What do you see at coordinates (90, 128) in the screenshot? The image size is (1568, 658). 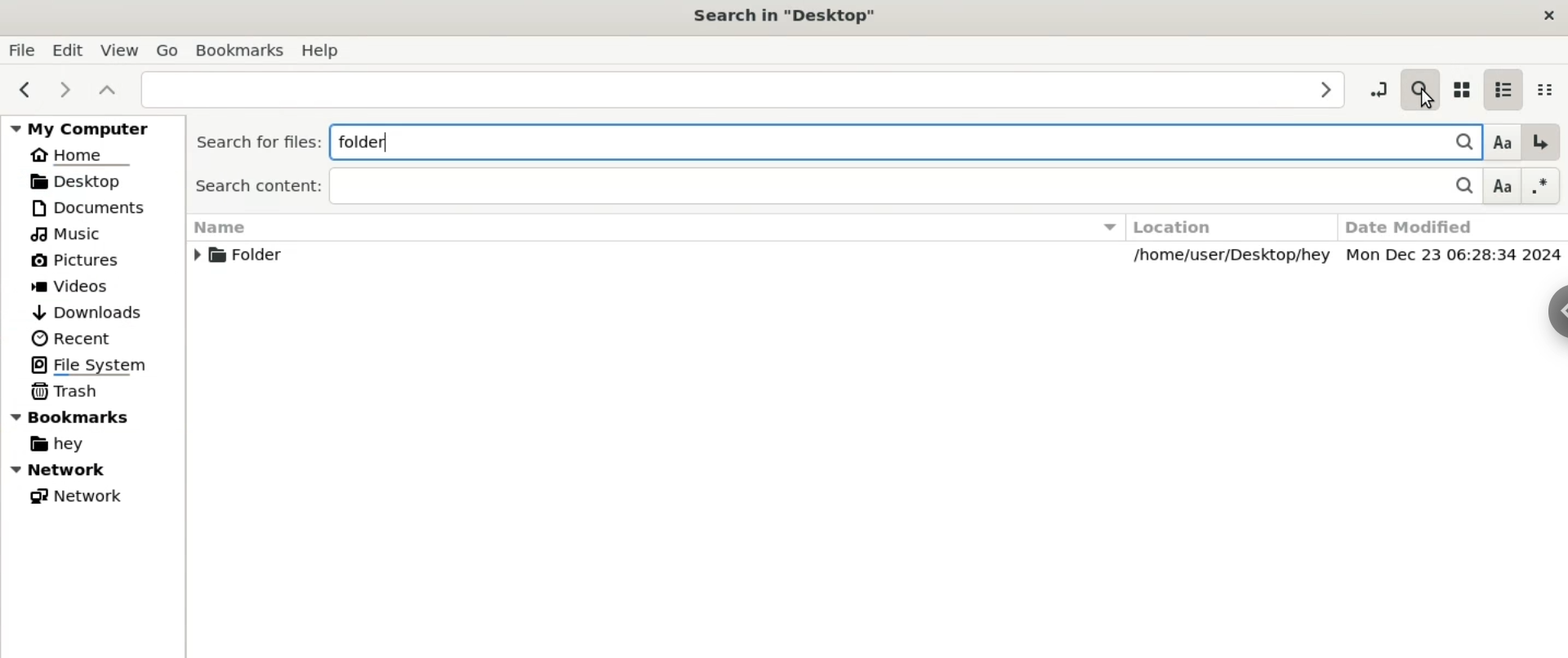 I see `My Computer` at bounding box center [90, 128].